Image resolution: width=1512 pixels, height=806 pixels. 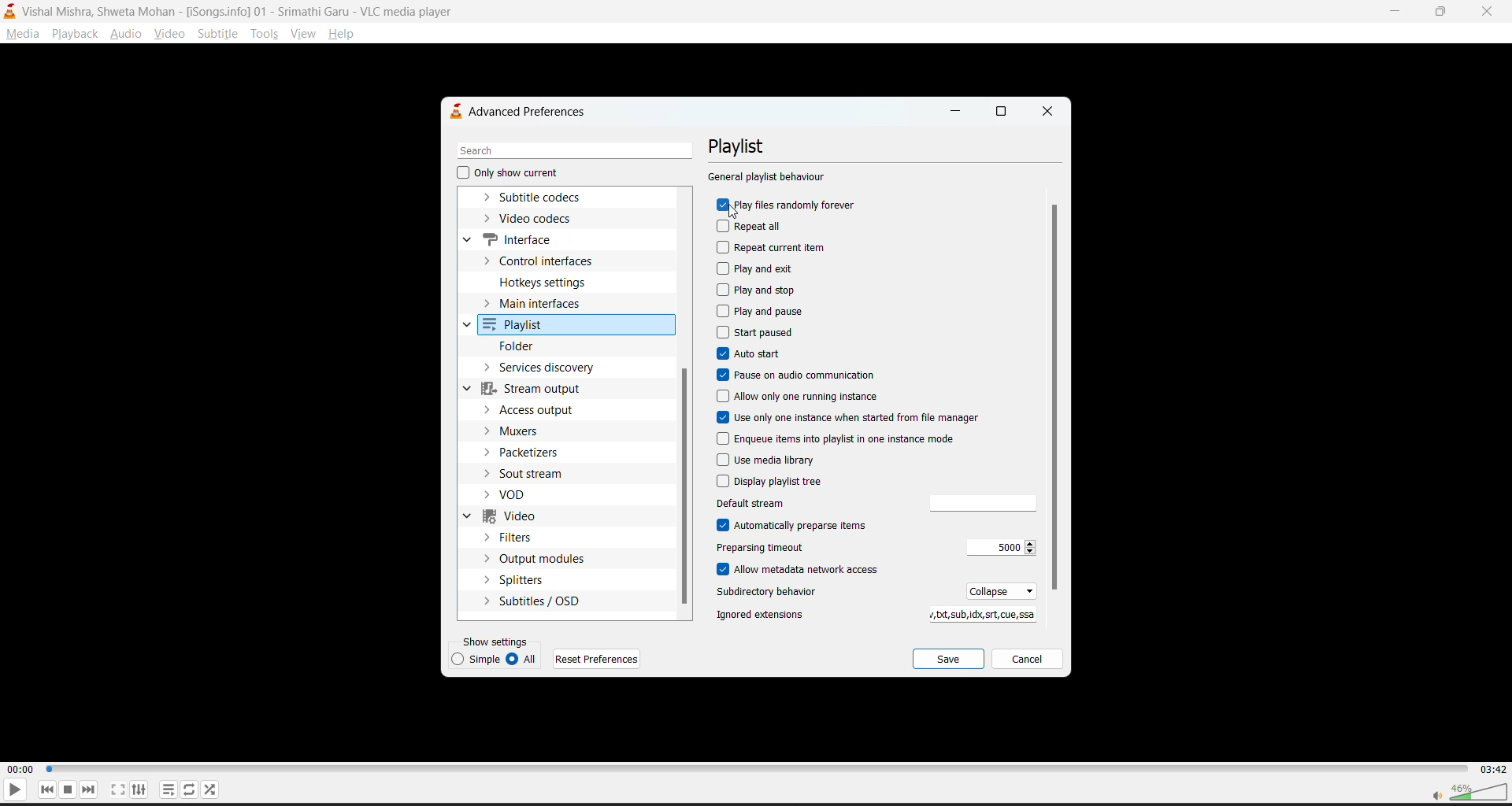 What do you see at coordinates (536, 453) in the screenshot?
I see `packetizers` at bounding box center [536, 453].